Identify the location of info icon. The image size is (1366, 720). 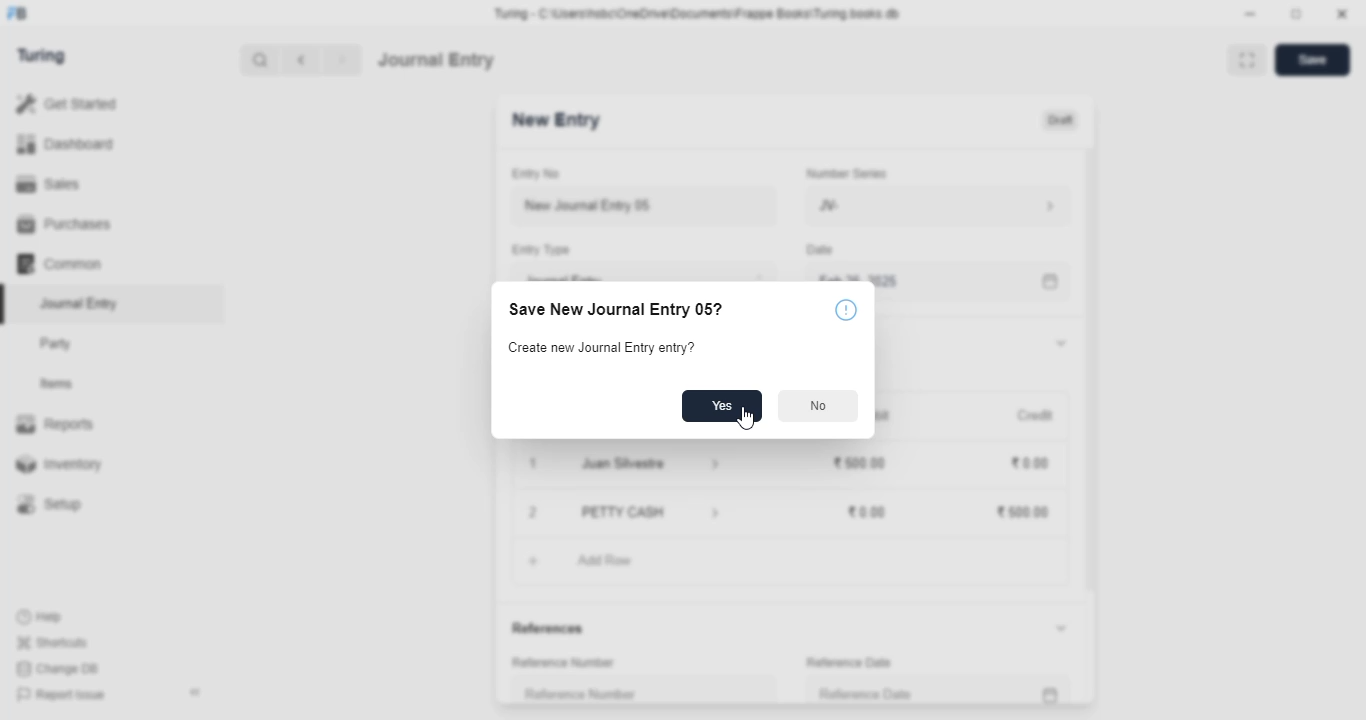
(847, 309).